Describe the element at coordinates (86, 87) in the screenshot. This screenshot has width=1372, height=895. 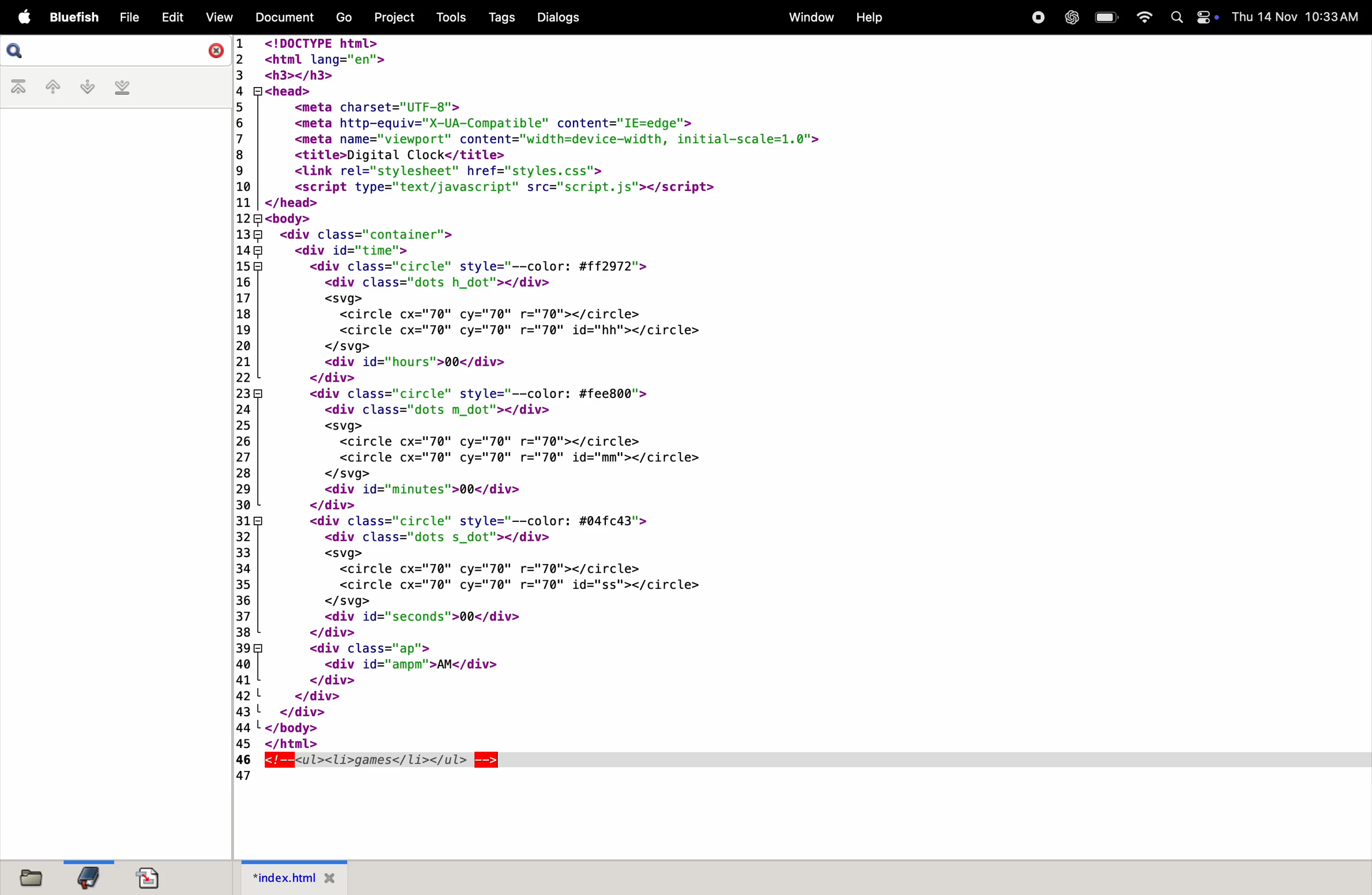
I see `next bookmark` at that location.